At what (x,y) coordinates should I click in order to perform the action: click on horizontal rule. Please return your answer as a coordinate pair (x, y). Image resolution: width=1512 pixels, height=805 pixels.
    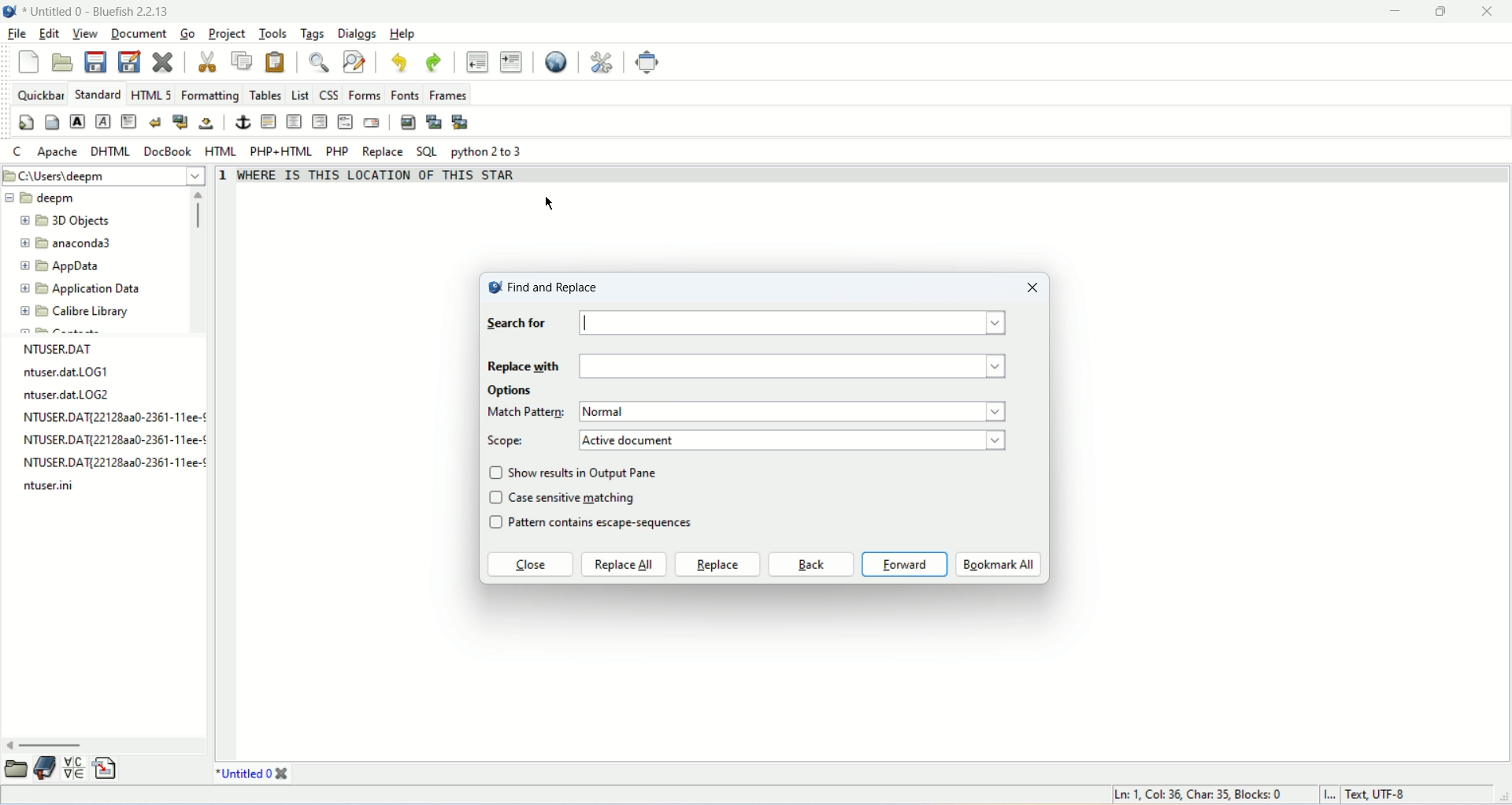
    Looking at the image, I should click on (270, 121).